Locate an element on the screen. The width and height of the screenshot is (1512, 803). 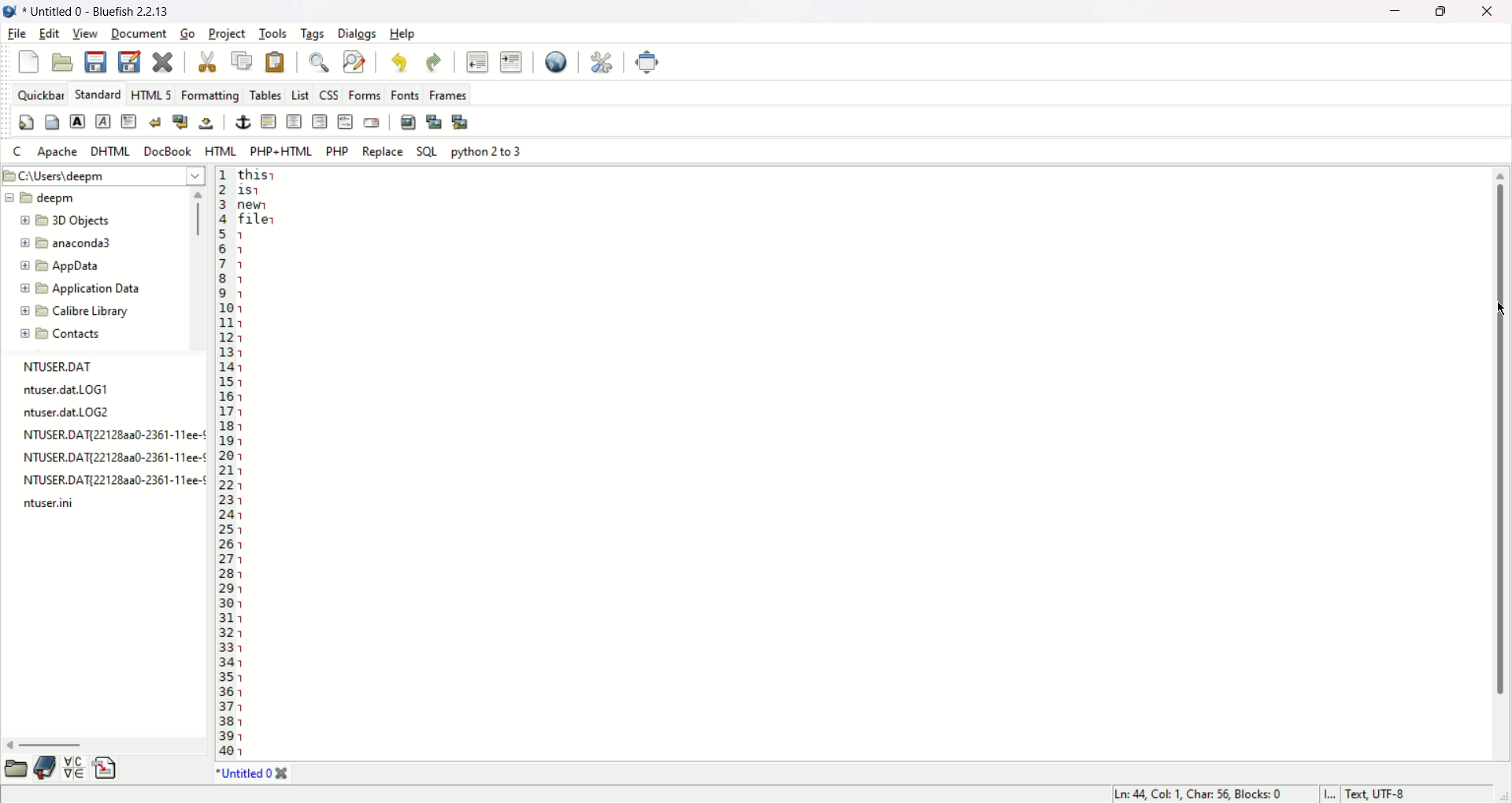
body is located at coordinates (52, 124).